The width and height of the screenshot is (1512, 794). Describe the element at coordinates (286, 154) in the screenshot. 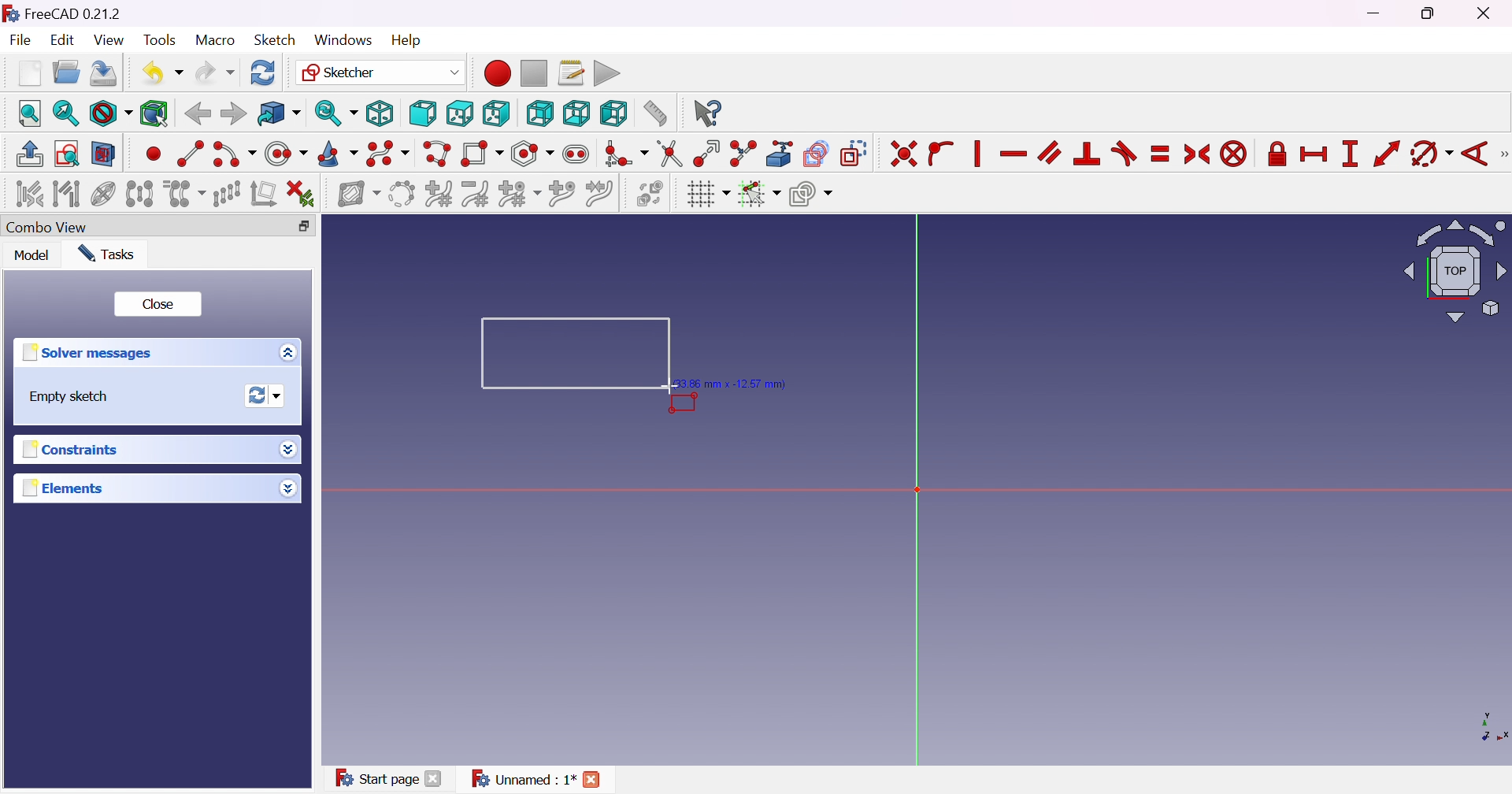

I see `Create circle` at that location.